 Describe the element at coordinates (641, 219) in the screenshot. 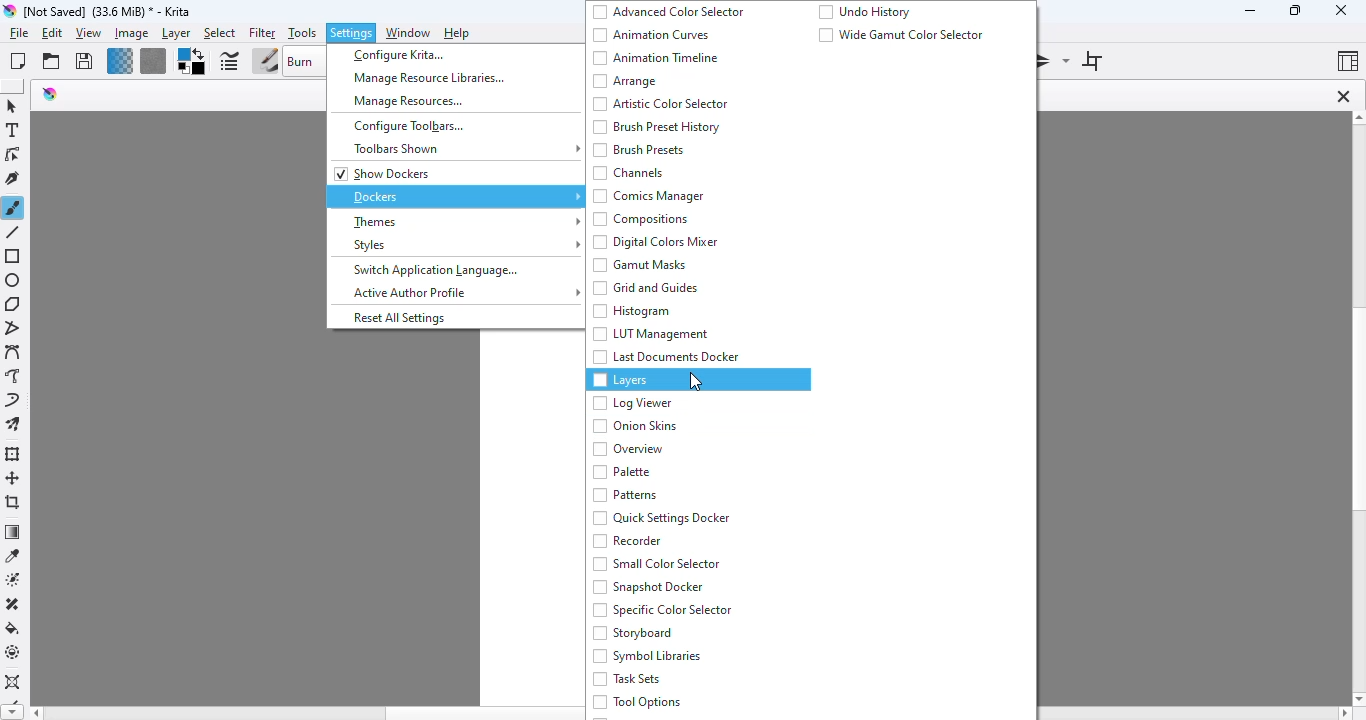

I see `compositions` at that location.